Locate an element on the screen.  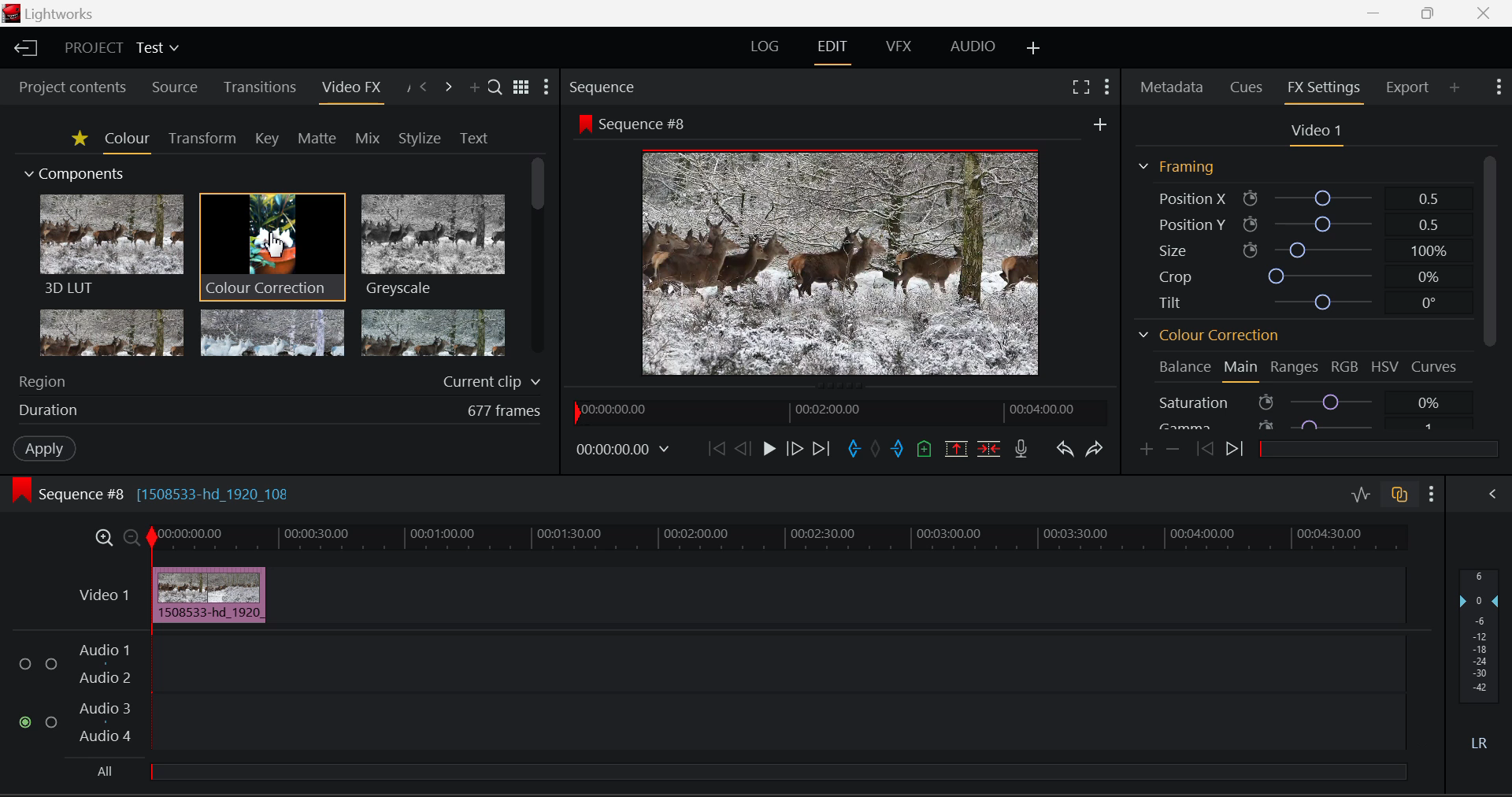
Audio Input Field is located at coordinates (776, 724).